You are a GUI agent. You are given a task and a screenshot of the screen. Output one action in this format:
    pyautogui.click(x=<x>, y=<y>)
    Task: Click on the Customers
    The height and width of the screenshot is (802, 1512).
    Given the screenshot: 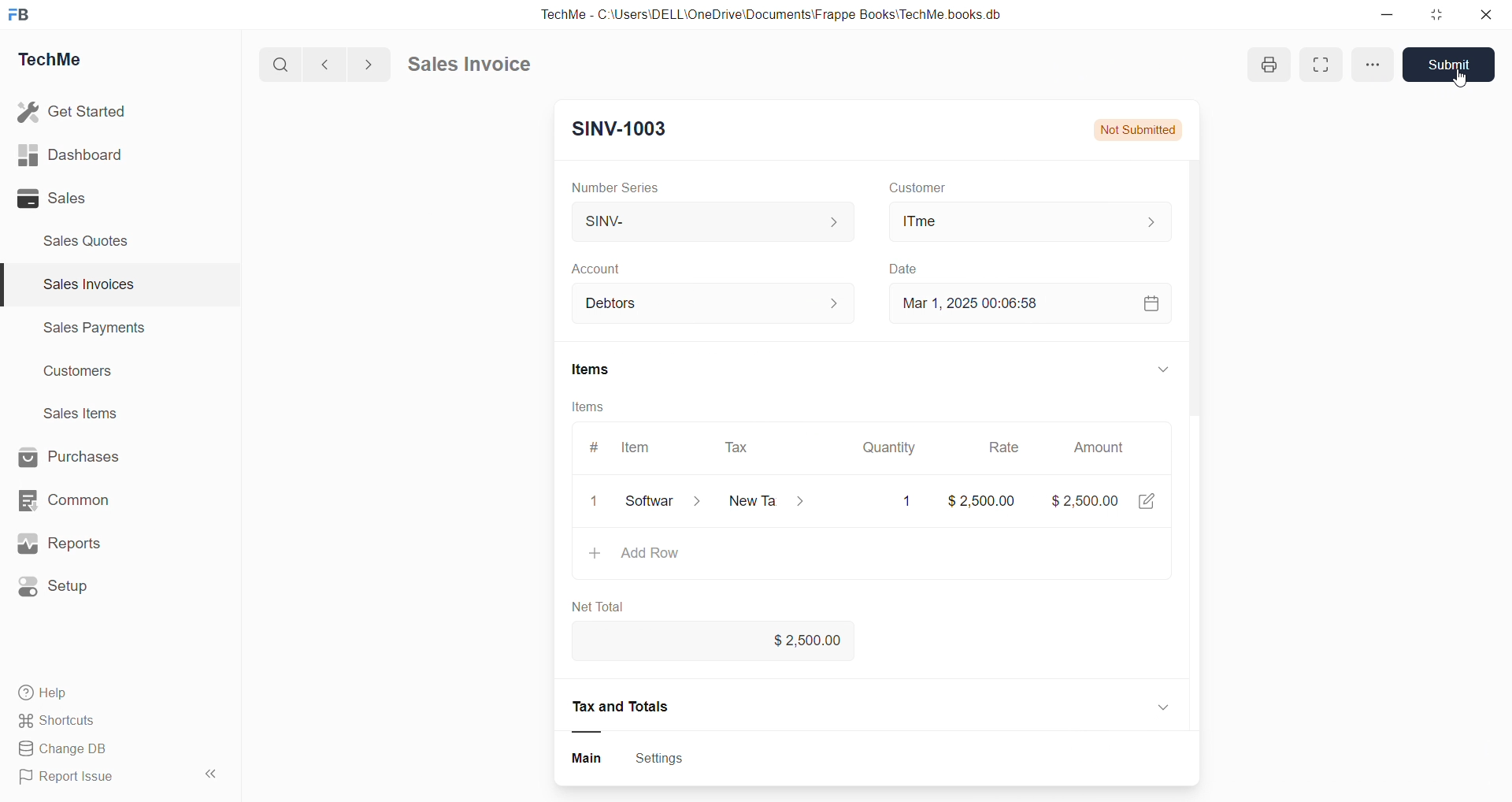 What is the action you would take?
    pyautogui.click(x=87, y=375)
    